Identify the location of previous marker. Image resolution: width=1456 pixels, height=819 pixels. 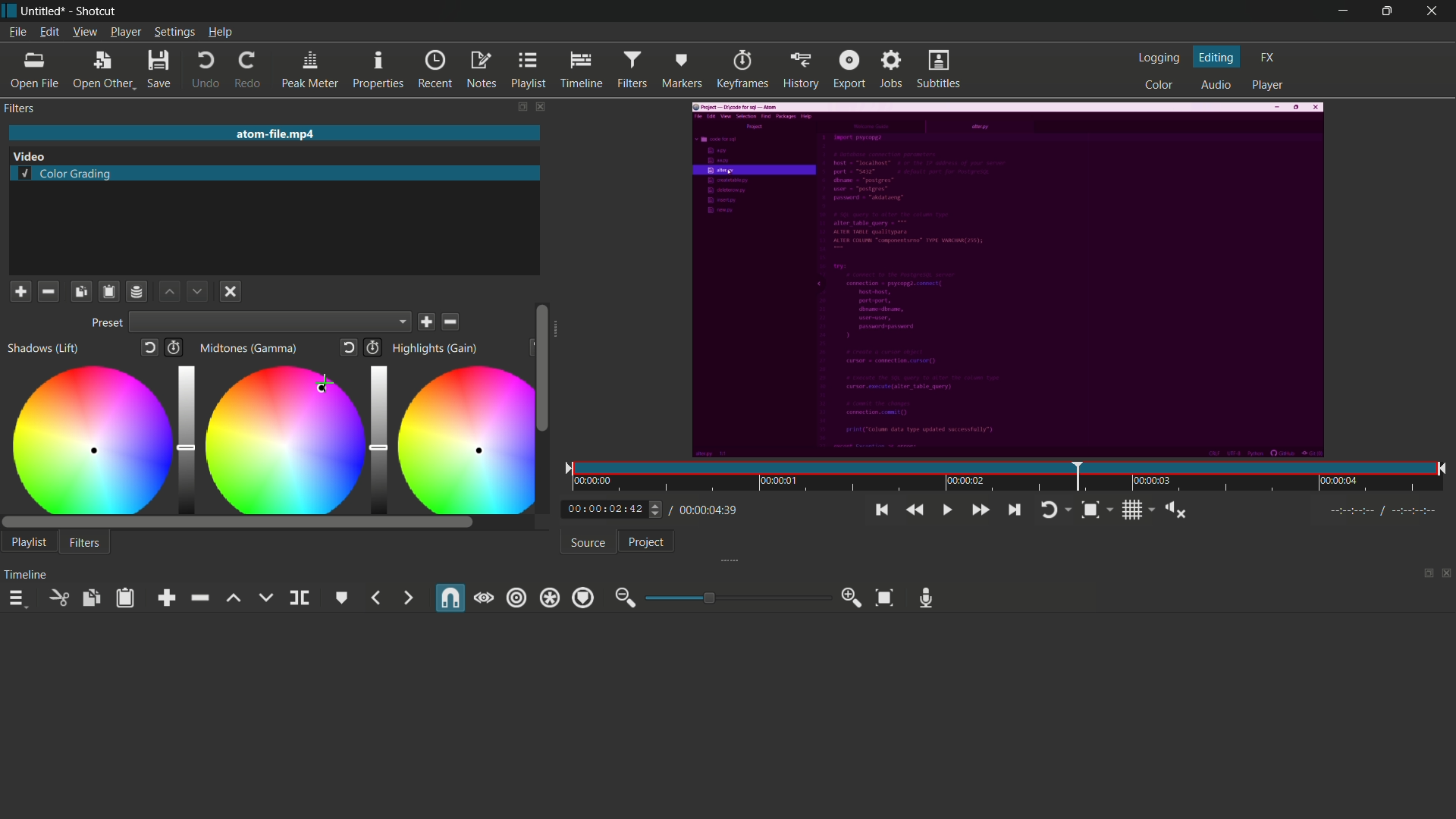
(377, 598).